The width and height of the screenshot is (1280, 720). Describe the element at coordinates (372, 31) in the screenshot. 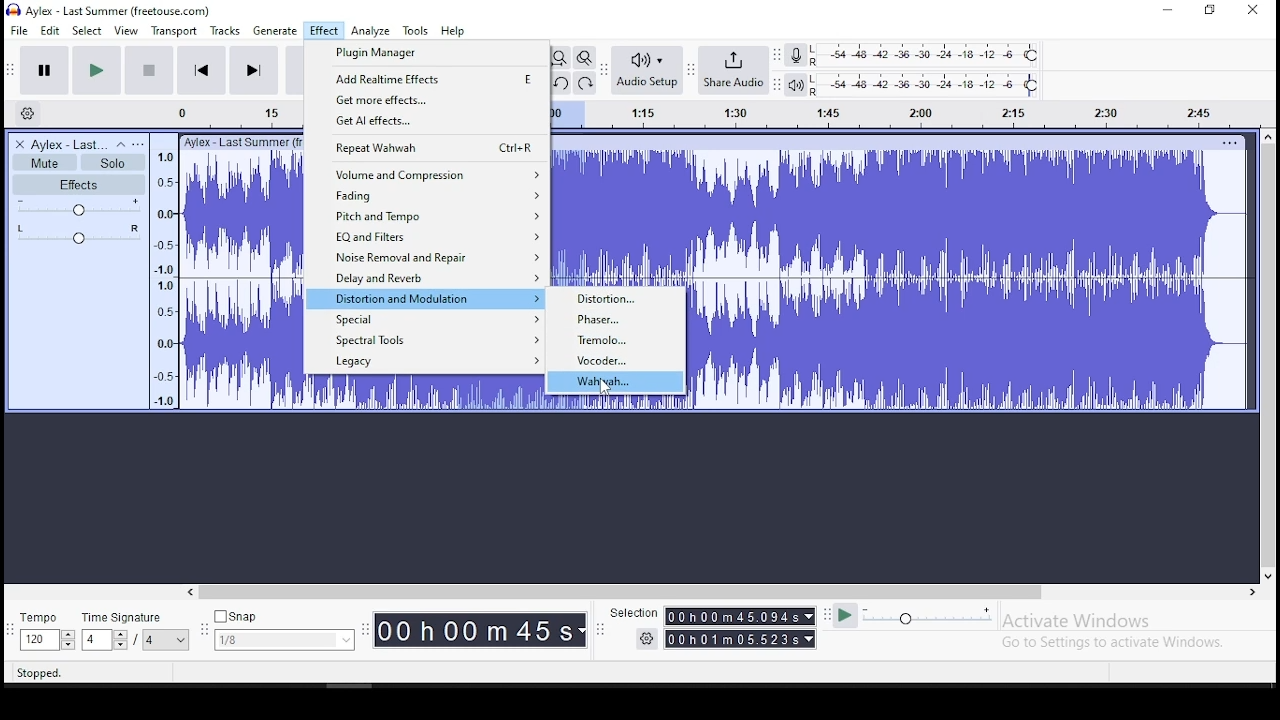

I see `analyze` at that location.